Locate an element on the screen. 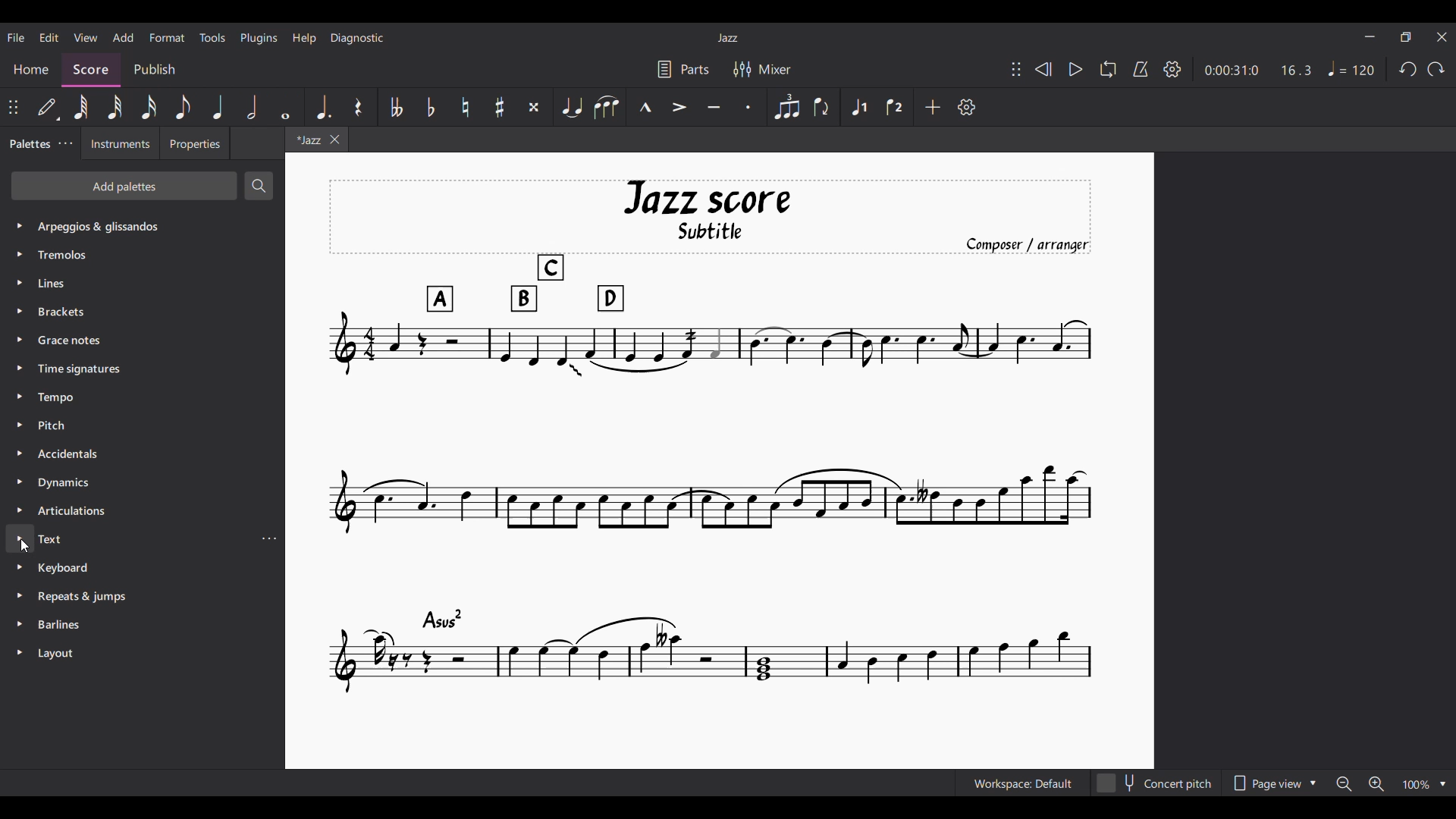  Tempo is located at coordinates (1351, 68).